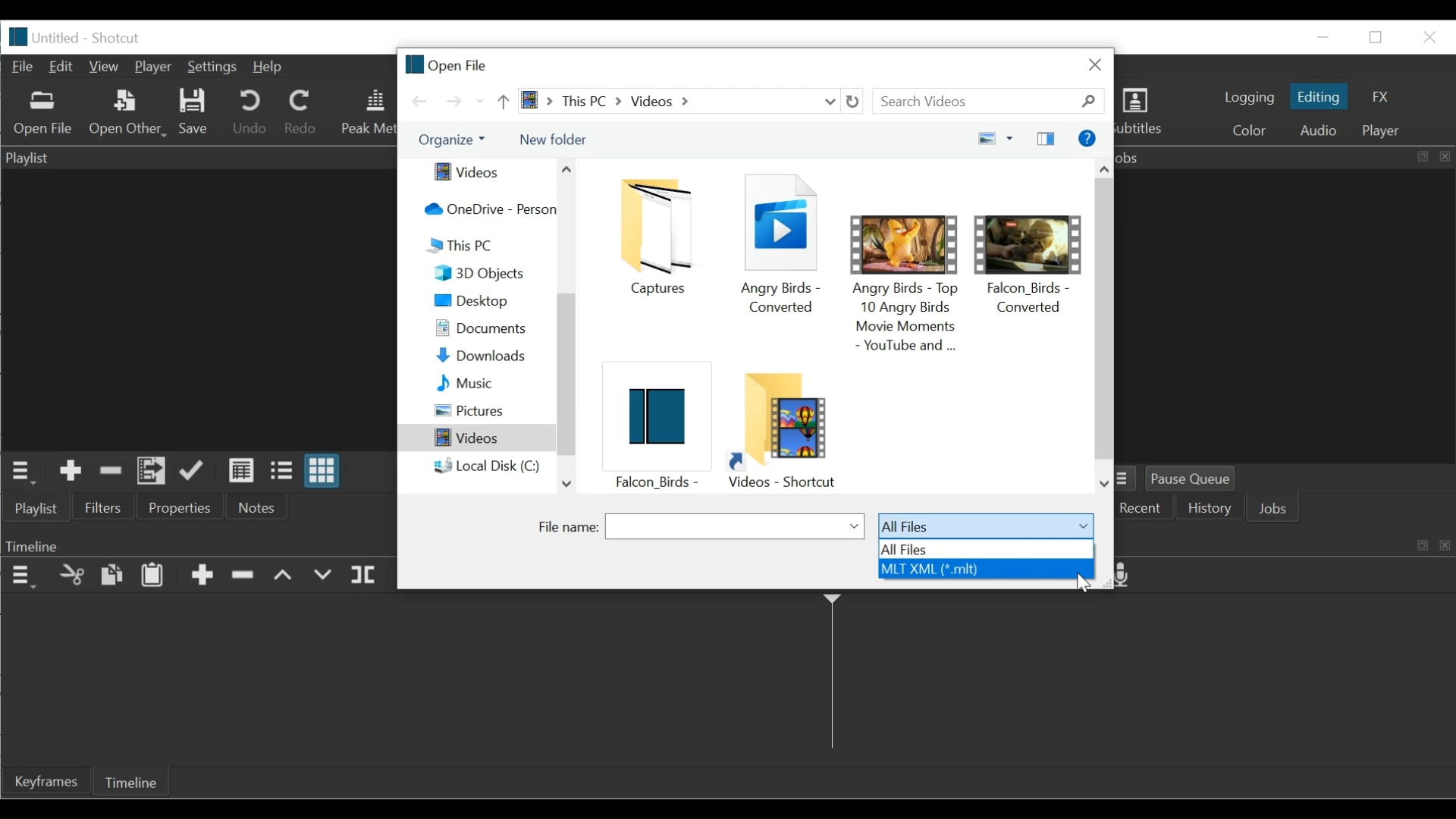  What do you see at coordinates (256, 507) in the screenshot?
I see `Notes` at bounding box center [256, 507].